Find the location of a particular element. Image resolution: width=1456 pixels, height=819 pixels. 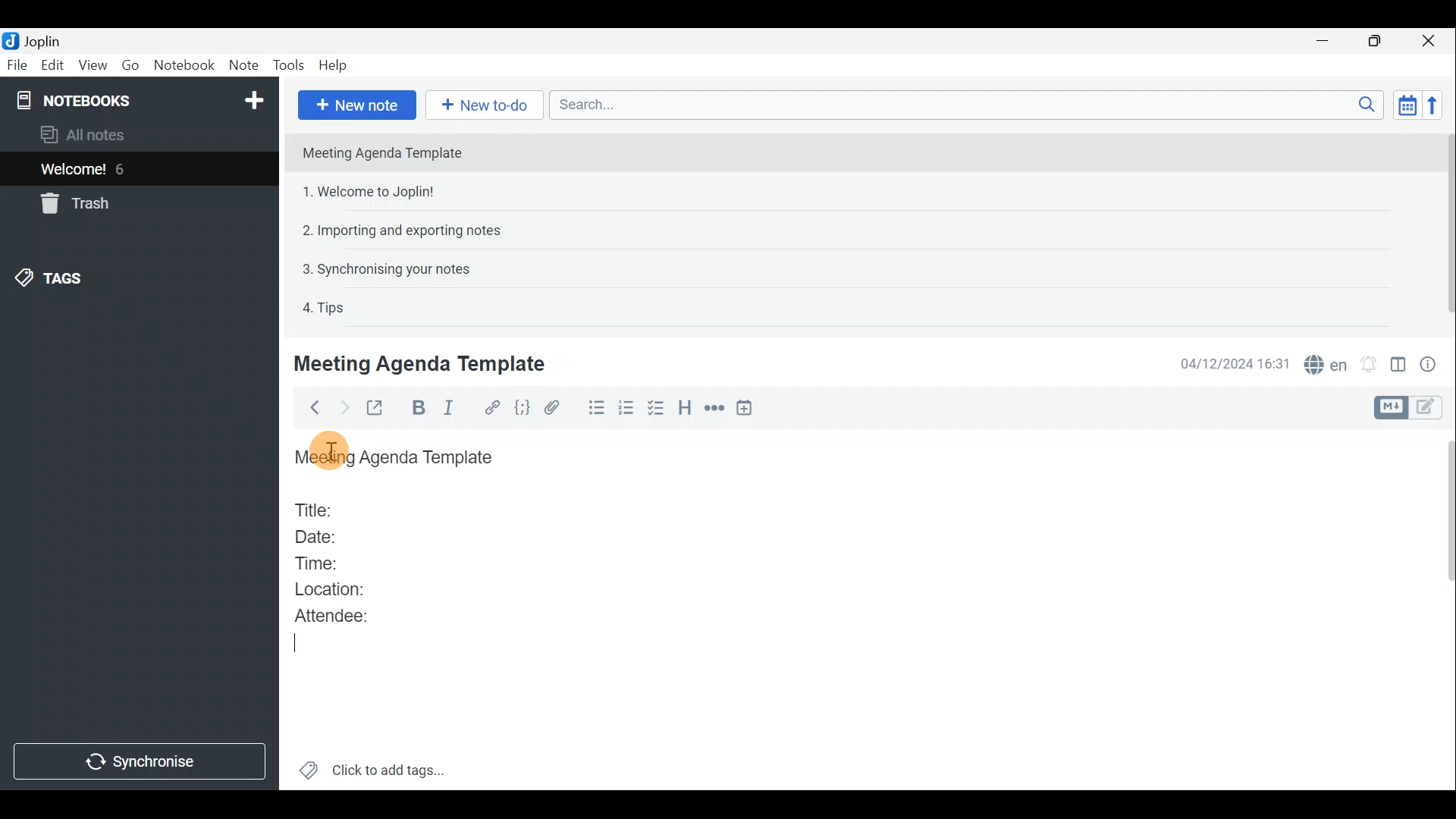

Tools is located at coordinates (286, 63).